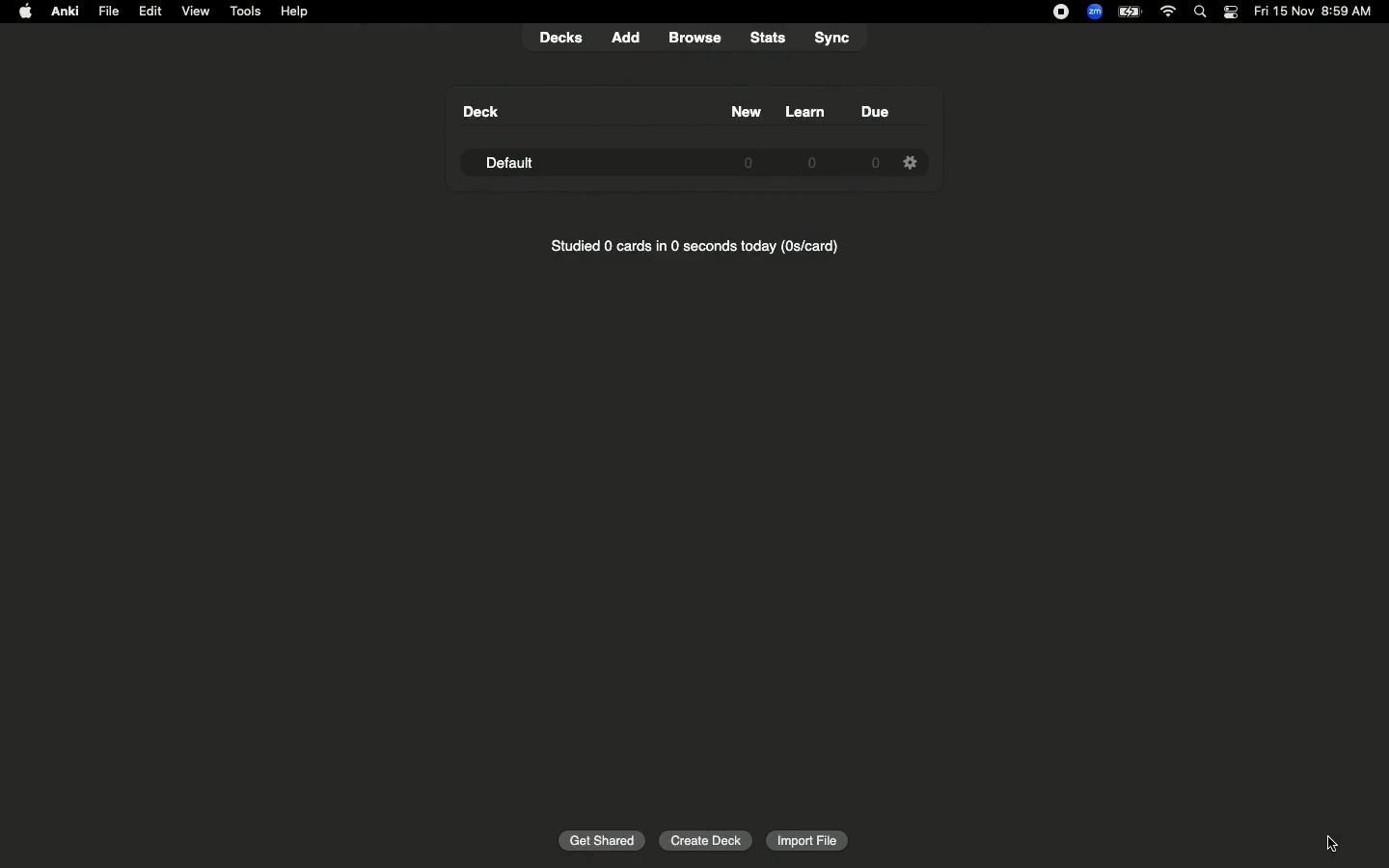 This screenshot has height=868, width=1389. I want to click on stats, so click(771, 37).